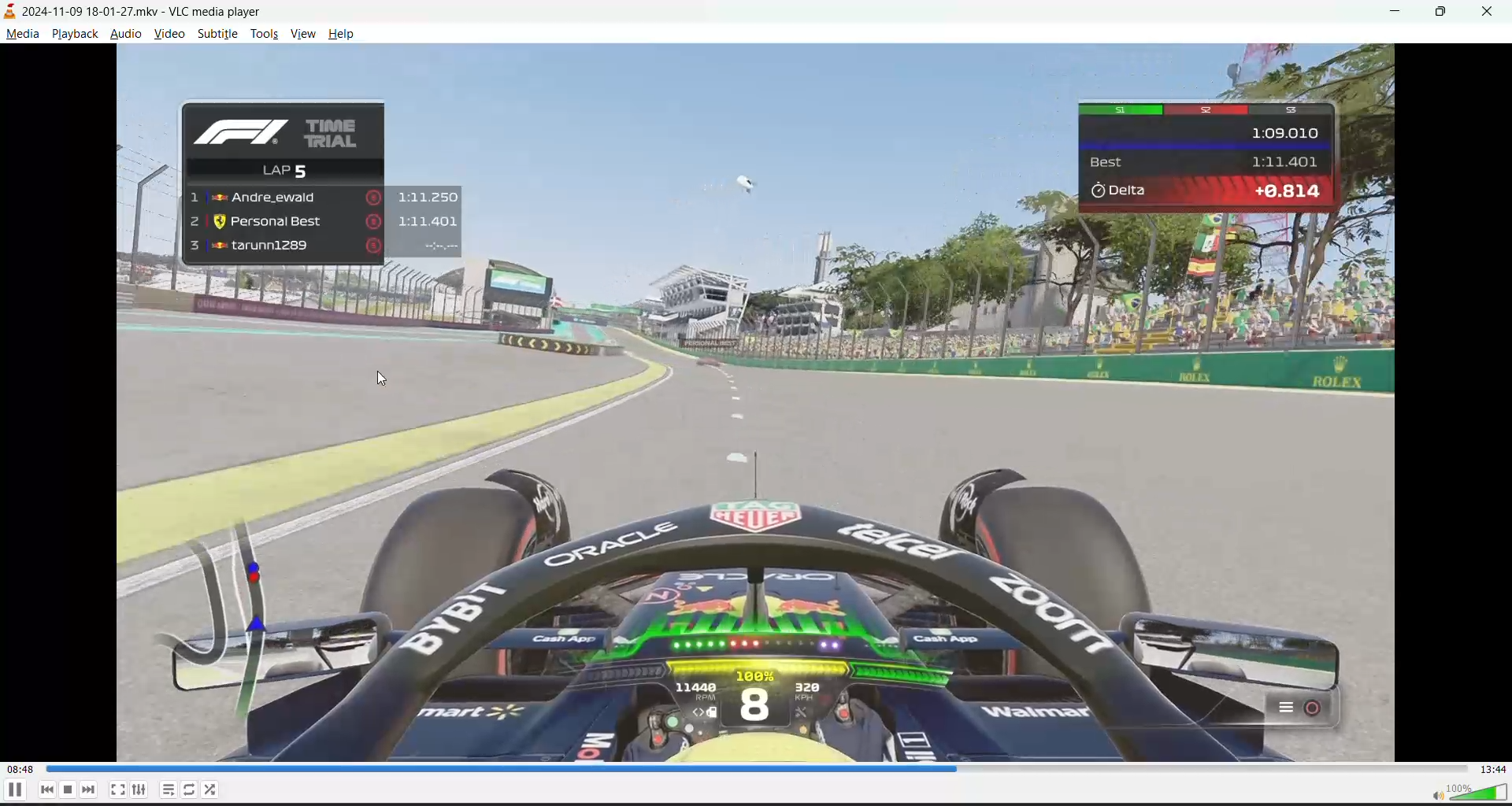 This screenshot has height=806, width=1512. Describe the element at coordinates (1494, 10) in the screenshot. I see `close` at that location.